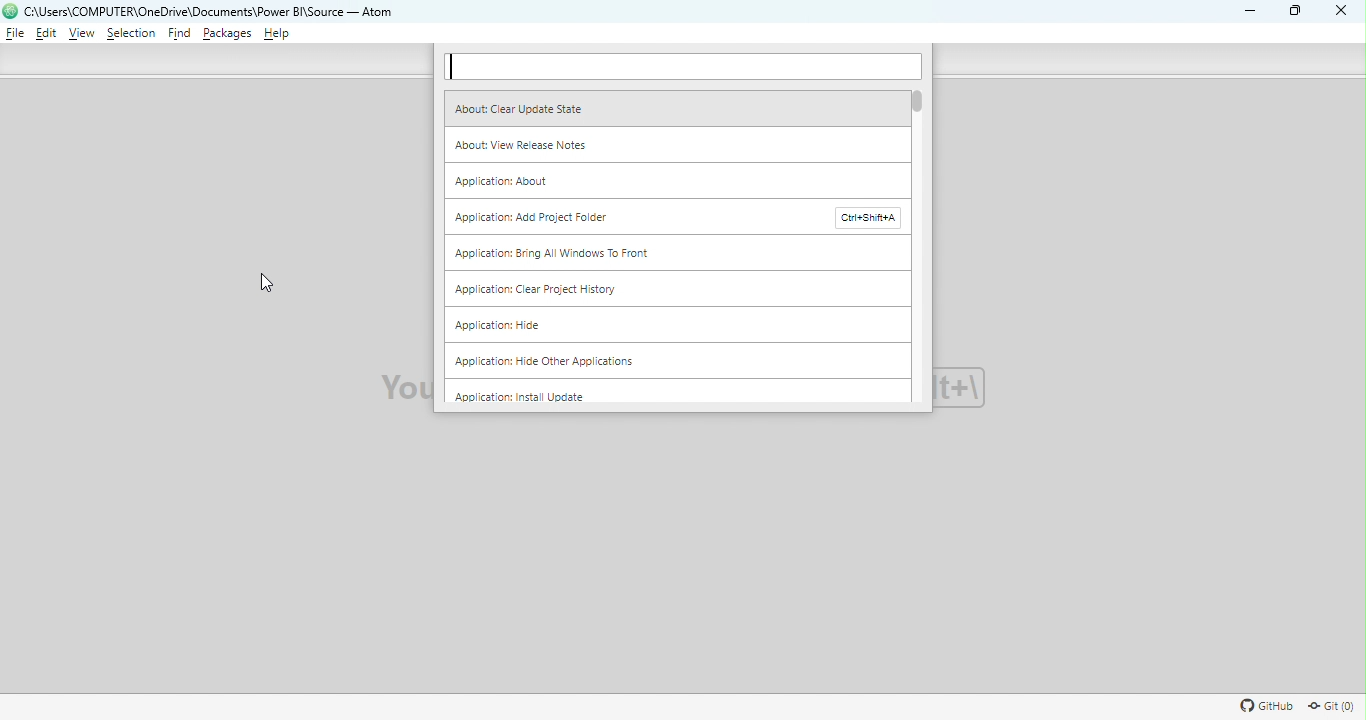  I want to click on Application: Hide, so click(678, 326).